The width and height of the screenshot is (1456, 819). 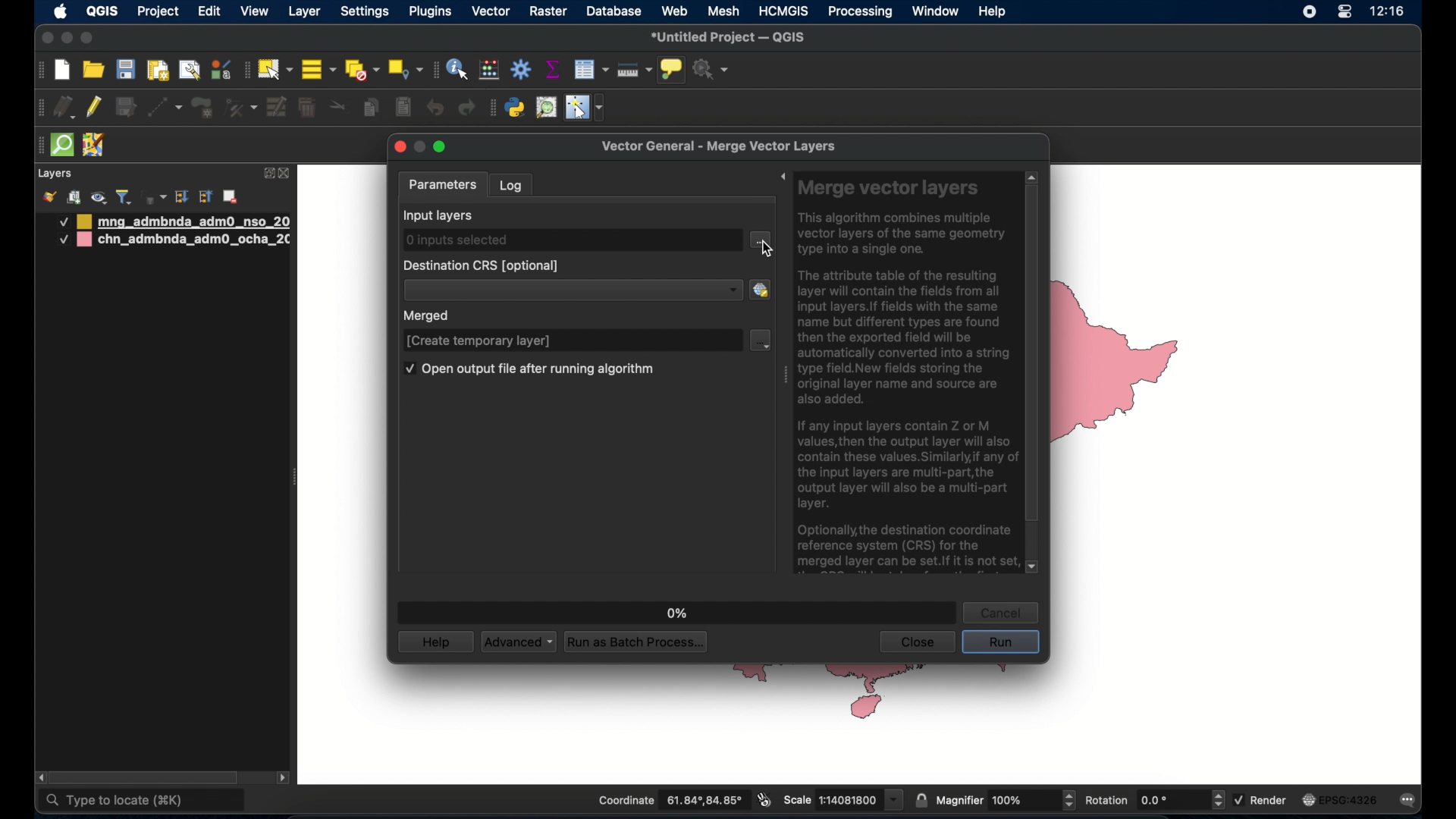 I want to click on help, so click(x=993, y=11).